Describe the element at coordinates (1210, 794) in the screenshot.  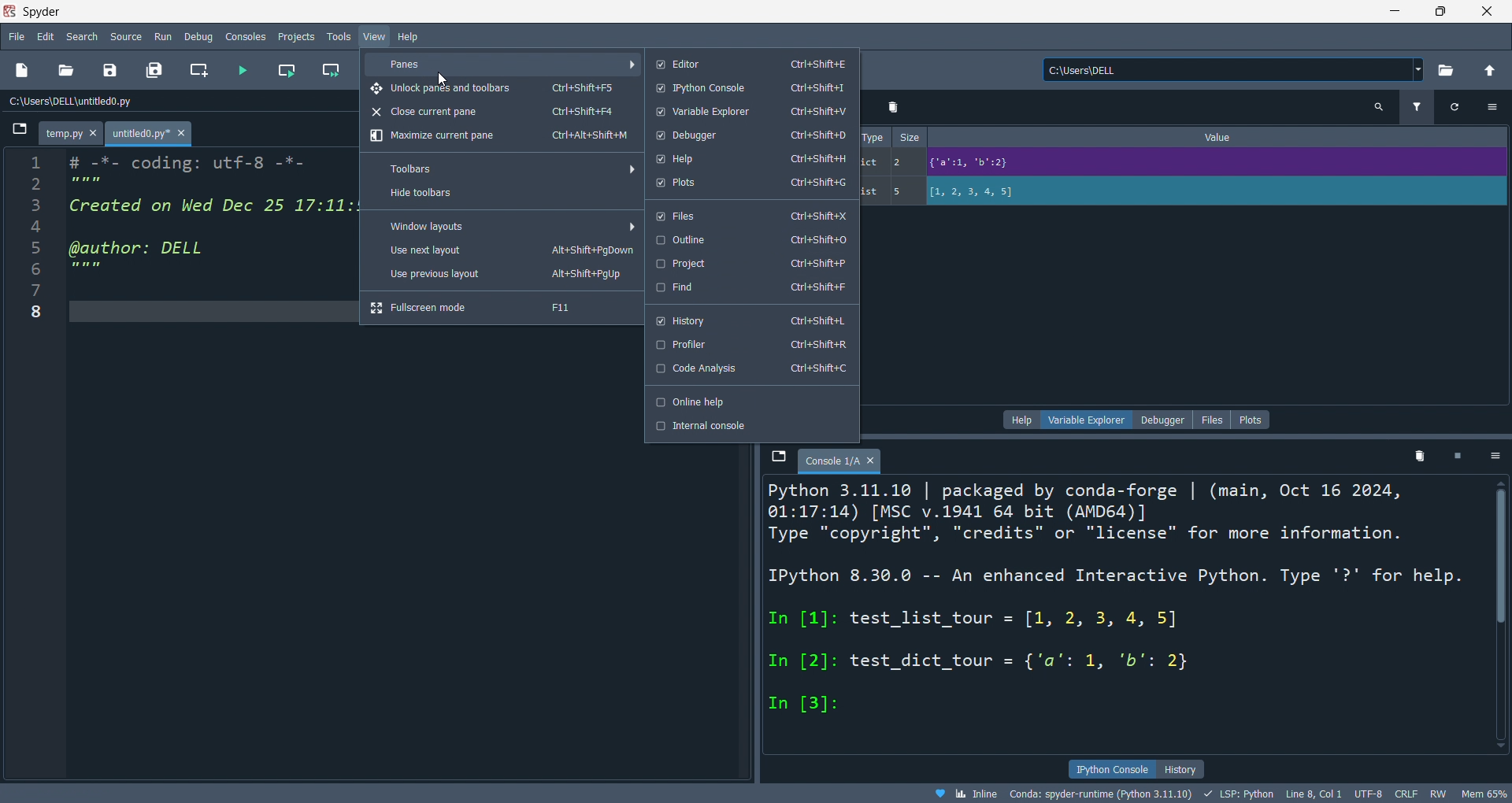
I see `Inline Conda: spyder-runtime (Python 3.11.10) LSP: Python Line 8, Col 1 UTF-8 CRLF RW Mem 65%` at that location.